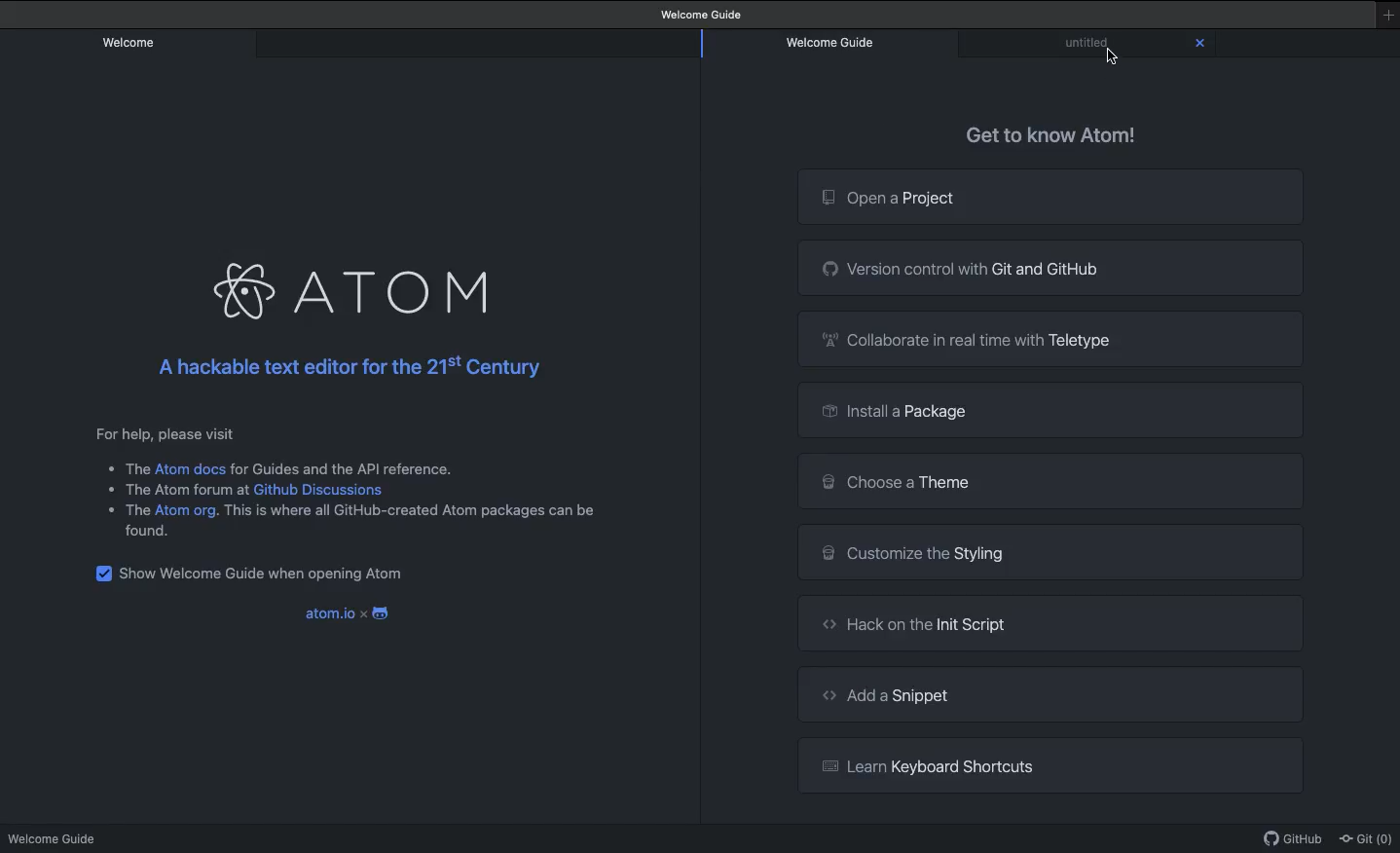  I want to click on cursor, so click(1114, 56).